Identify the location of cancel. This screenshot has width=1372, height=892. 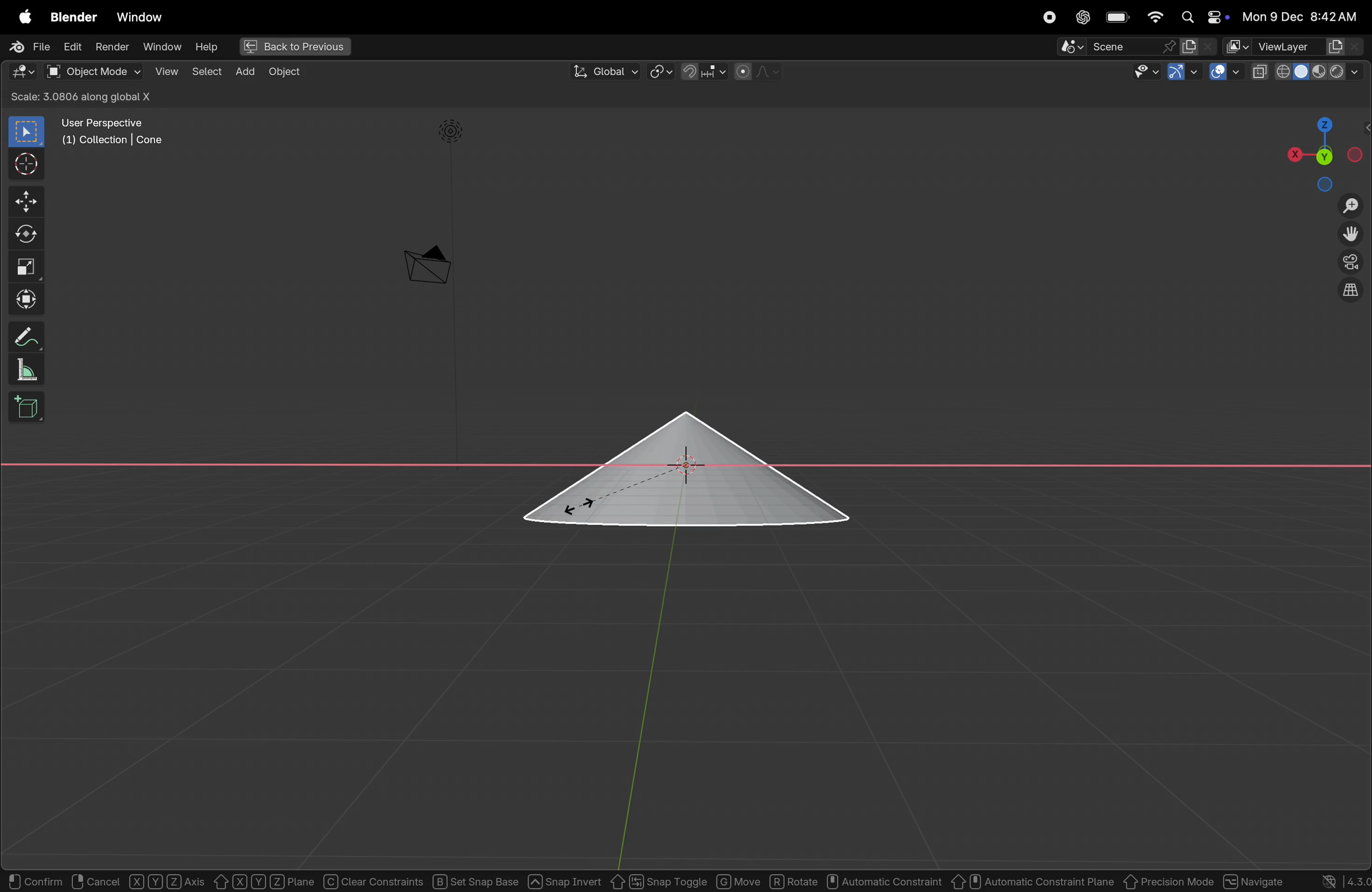
(95, 880).